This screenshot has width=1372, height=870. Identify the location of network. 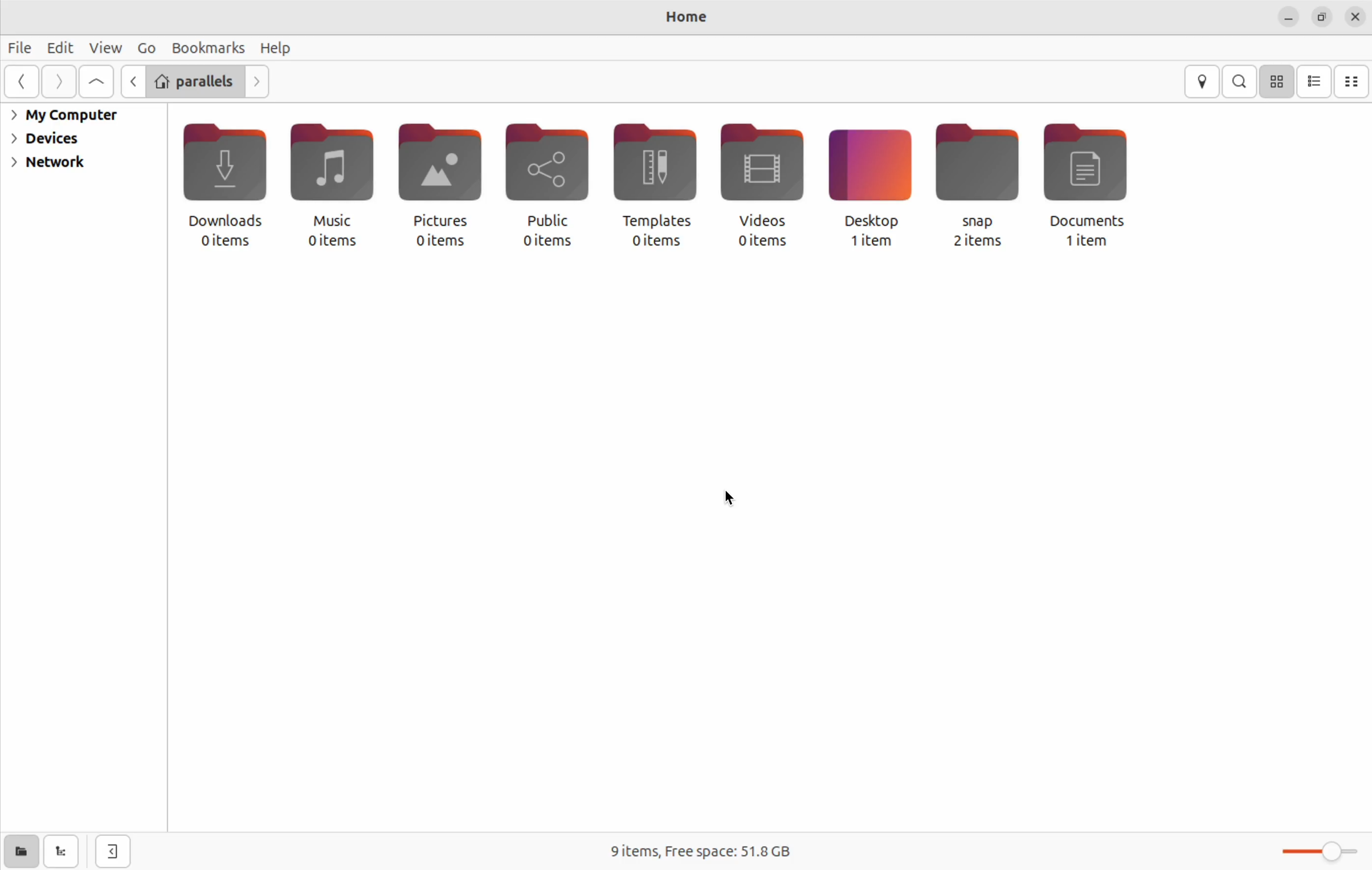
(49, 164).